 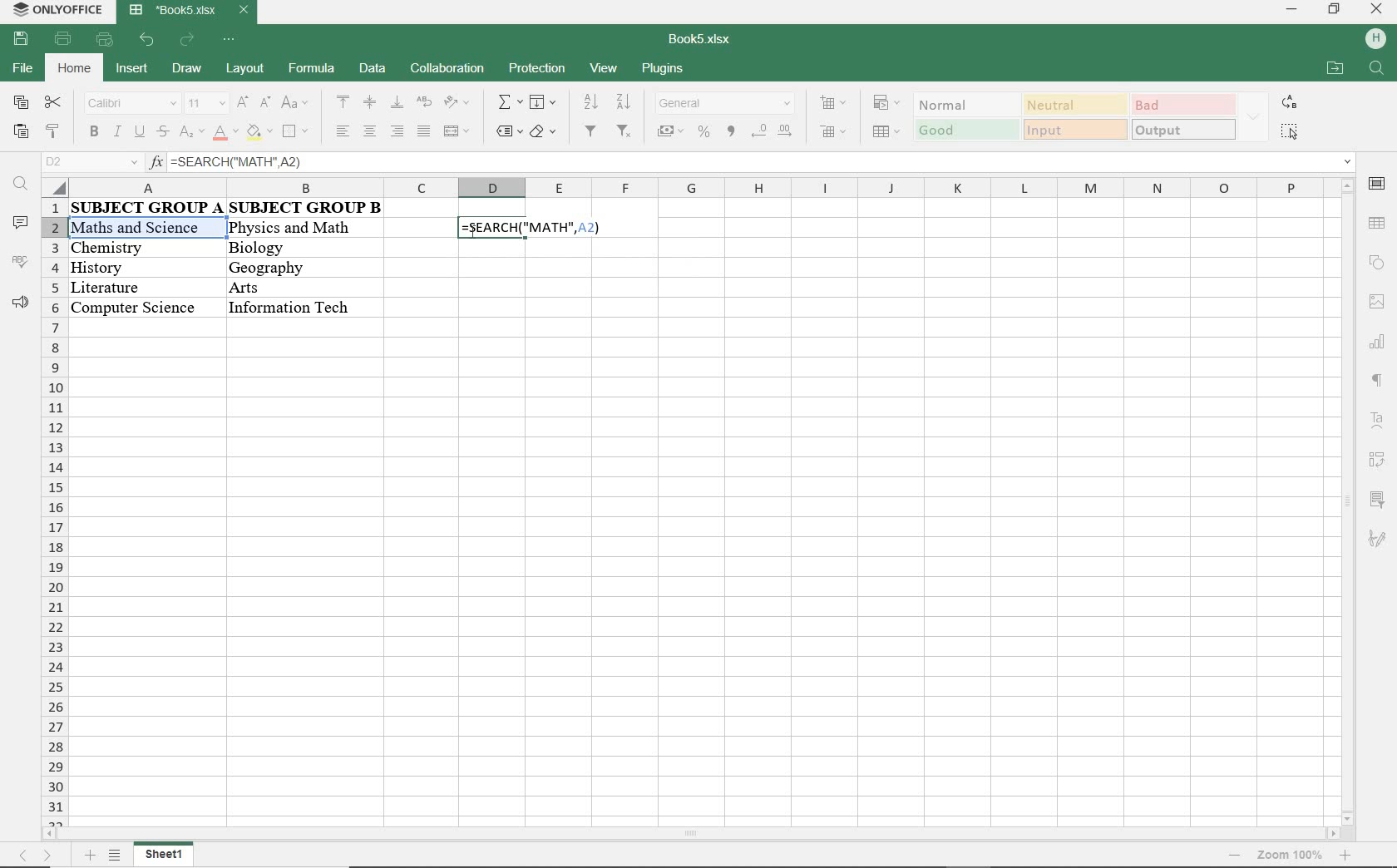 What do you see at coordinates (1333, 11) in the screenshot?
I see `restore down` at bounding box center [1333, 11].